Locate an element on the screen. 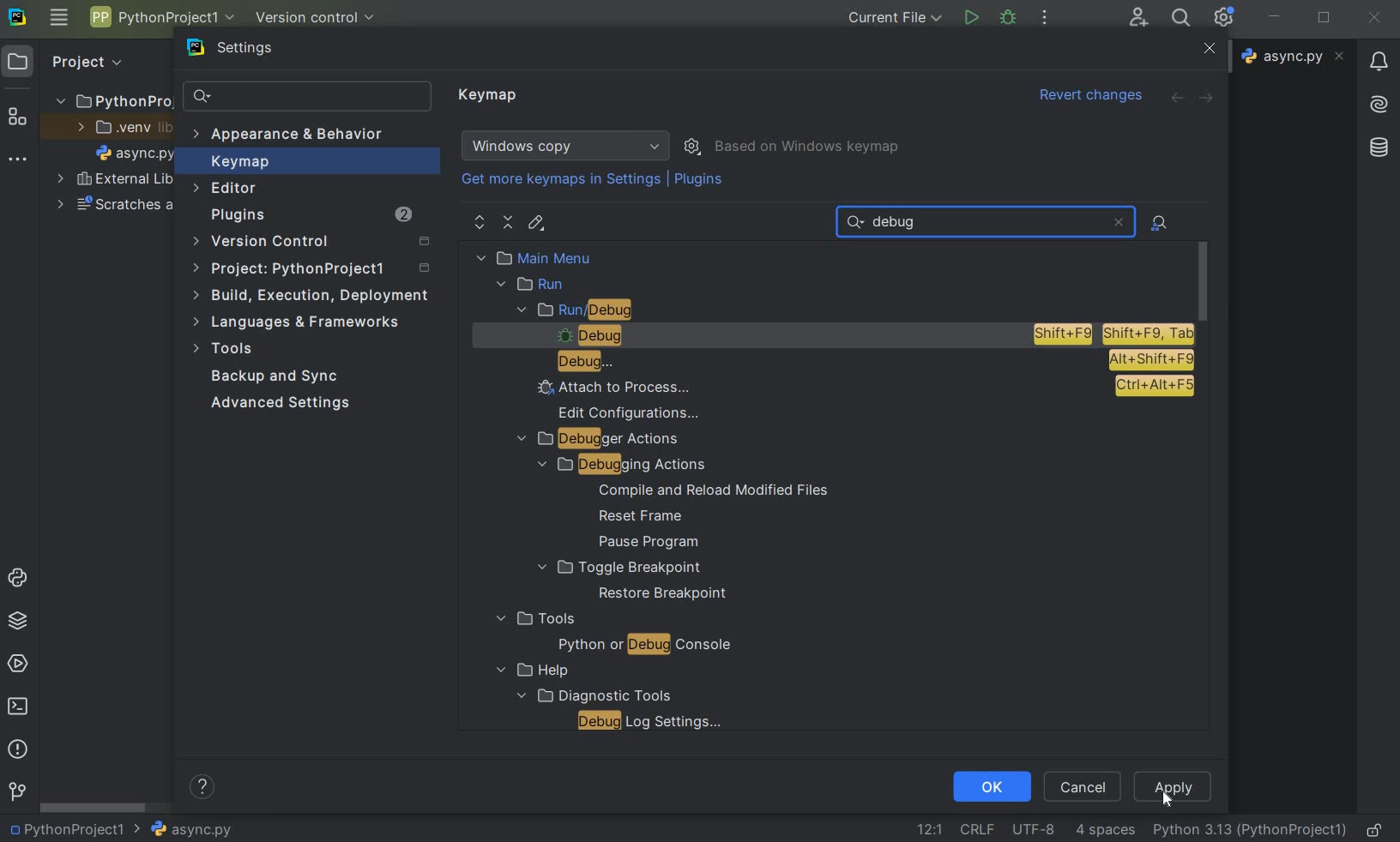  close is located at coordinates (1374, 18).